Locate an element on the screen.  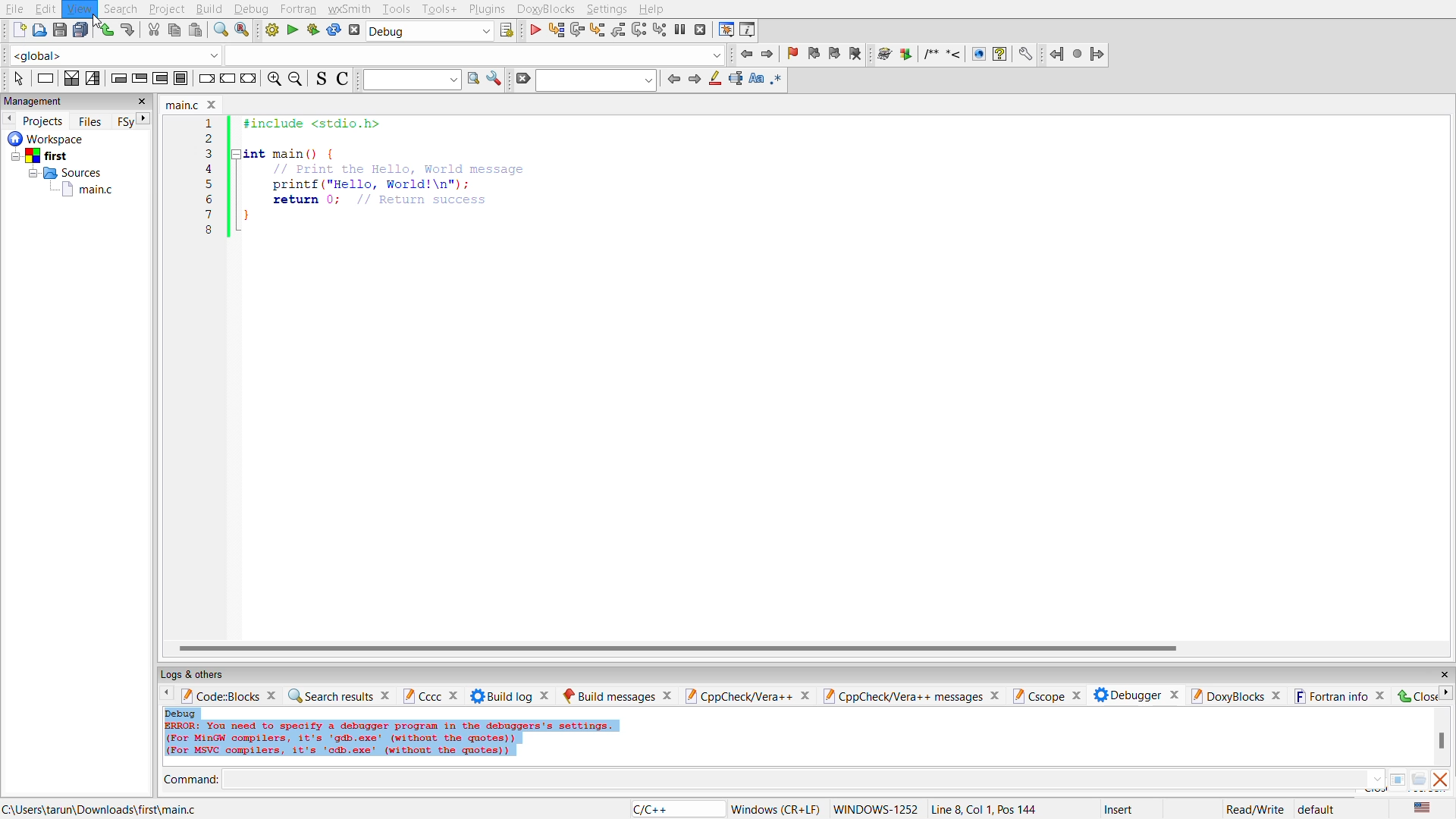
cut is located at coordinates (154, 31).